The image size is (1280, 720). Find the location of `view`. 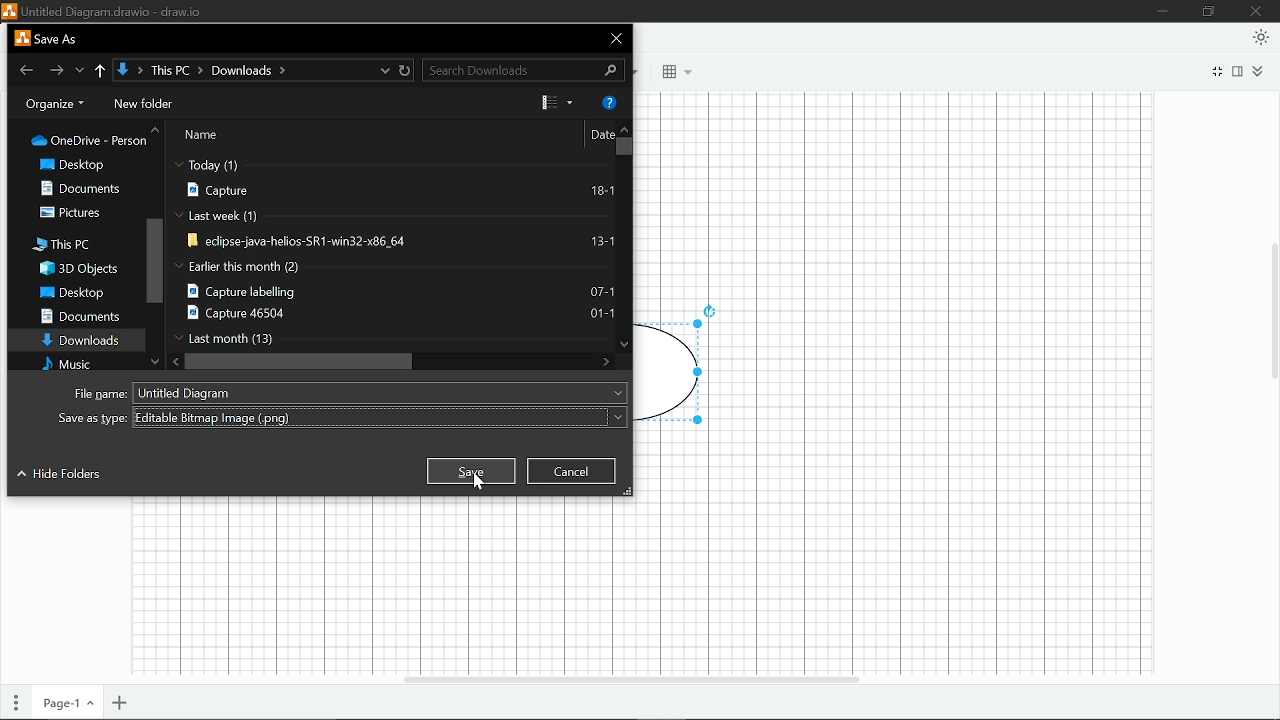

view is located at coordinates (558, 102).